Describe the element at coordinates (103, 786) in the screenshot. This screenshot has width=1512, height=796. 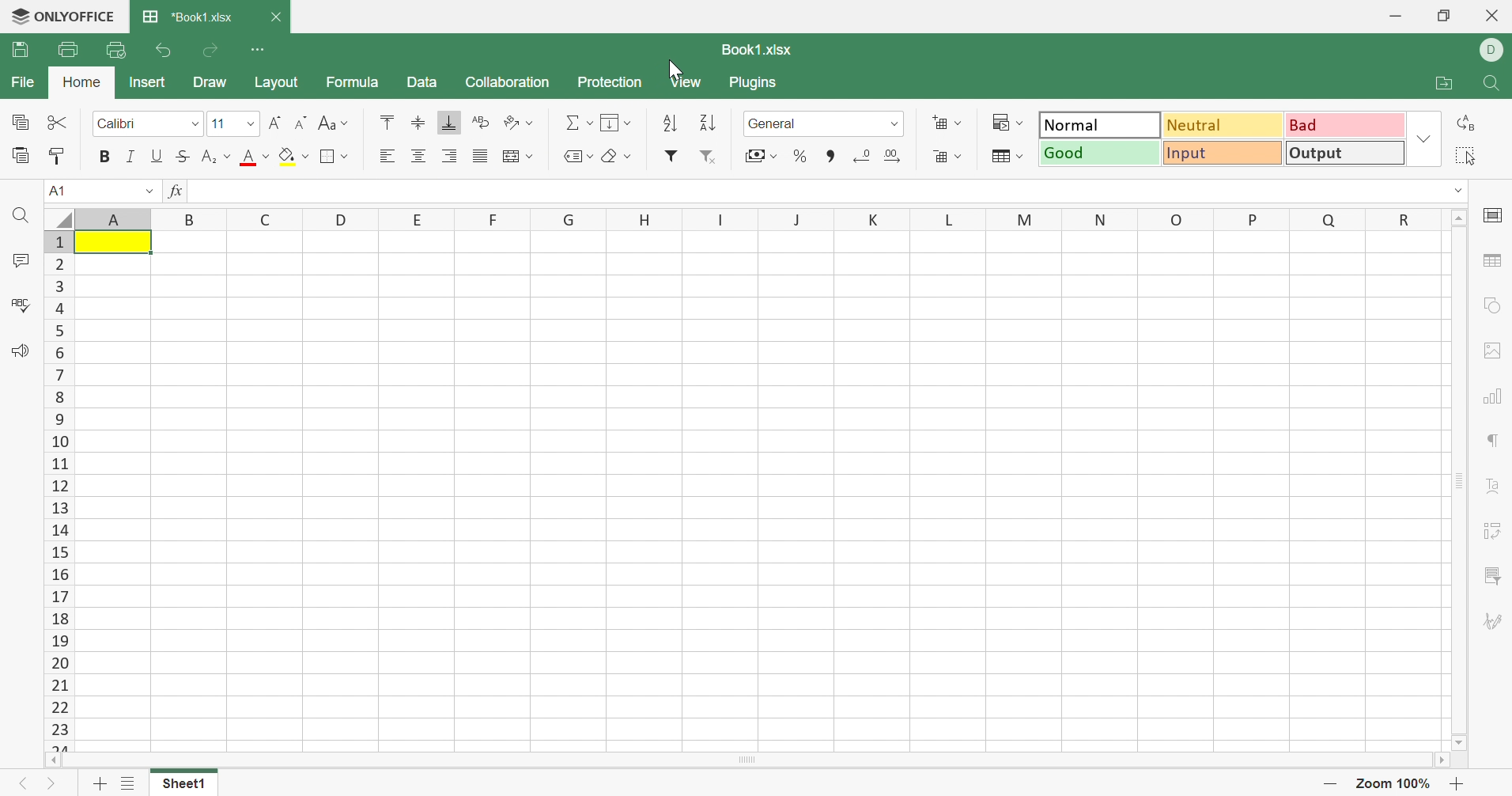
I see `Add Sheet` at that location.